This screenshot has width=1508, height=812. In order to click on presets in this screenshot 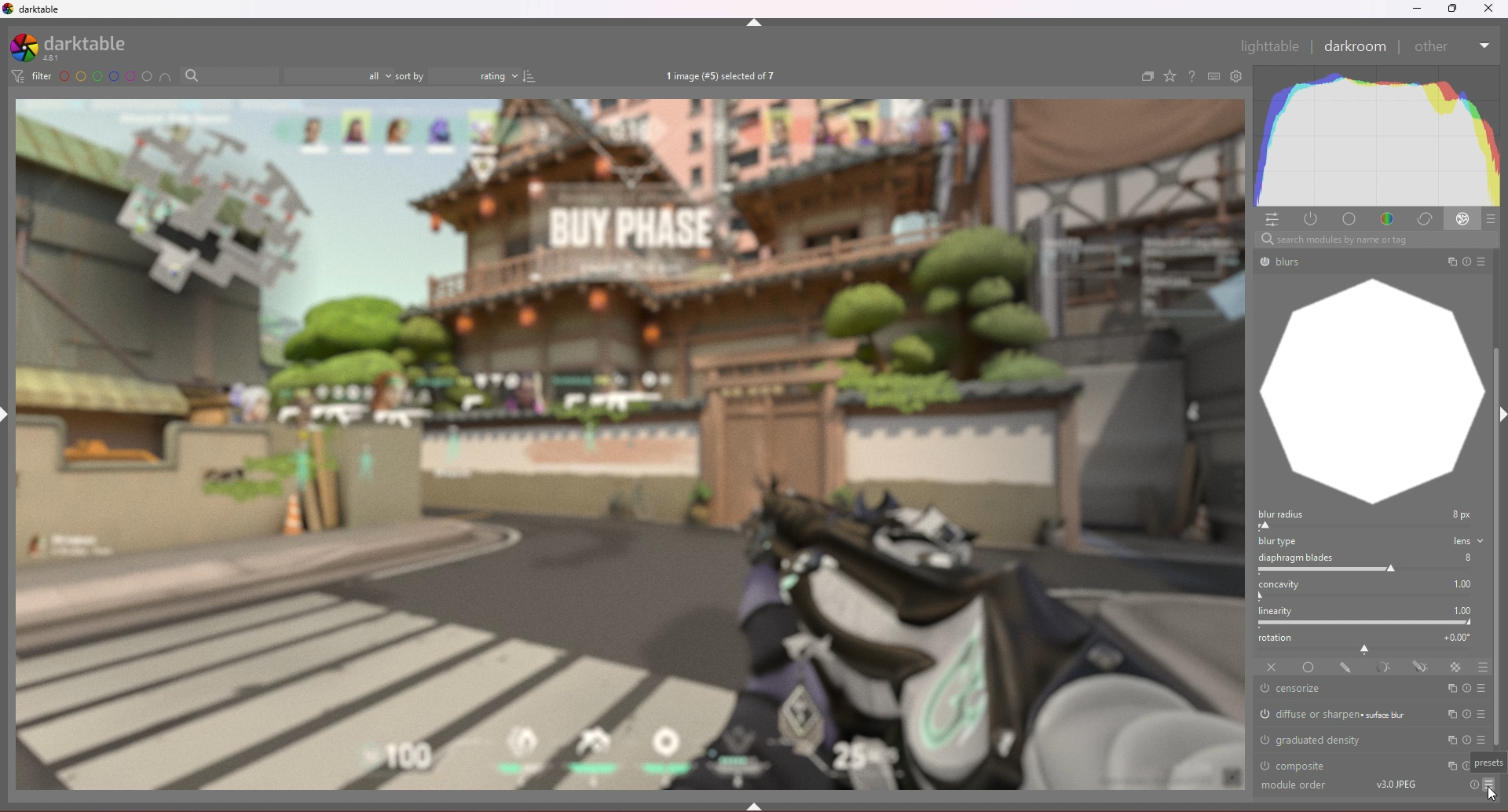, I will do `click(1481, 740)`.